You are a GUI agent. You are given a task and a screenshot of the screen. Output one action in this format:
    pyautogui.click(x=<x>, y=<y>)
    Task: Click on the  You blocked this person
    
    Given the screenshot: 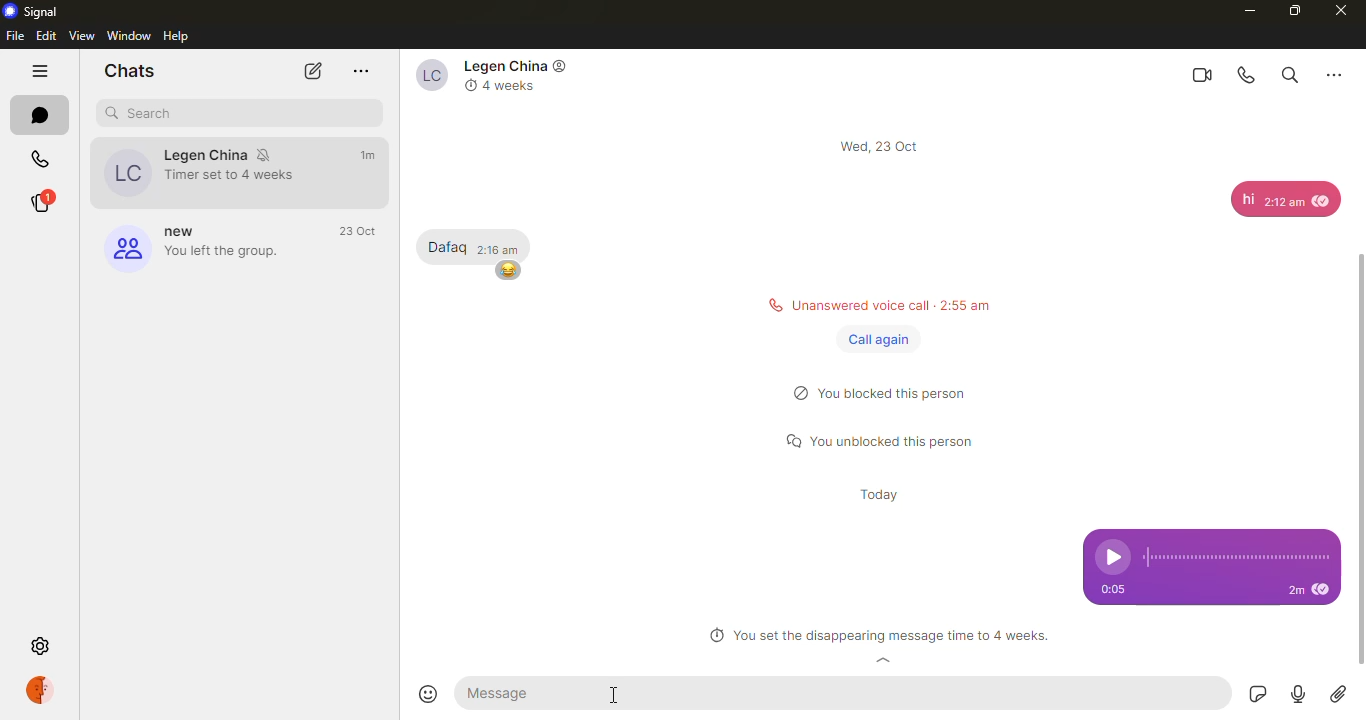 What is the action you would take?
    pyautogui.click(x=890, y=396)
    